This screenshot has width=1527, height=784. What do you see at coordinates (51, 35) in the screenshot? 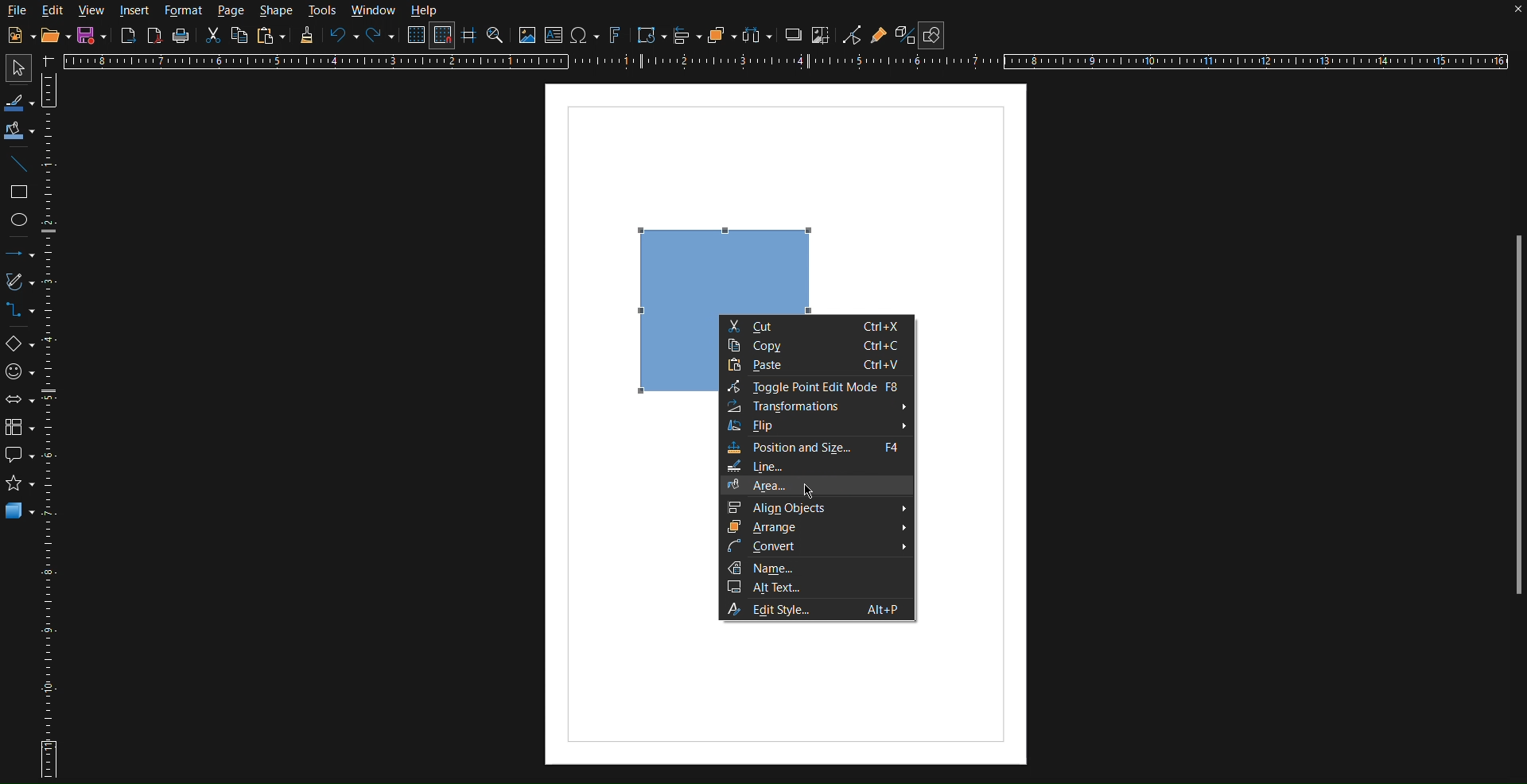
I see `Open` at bounding box center [51, 35].